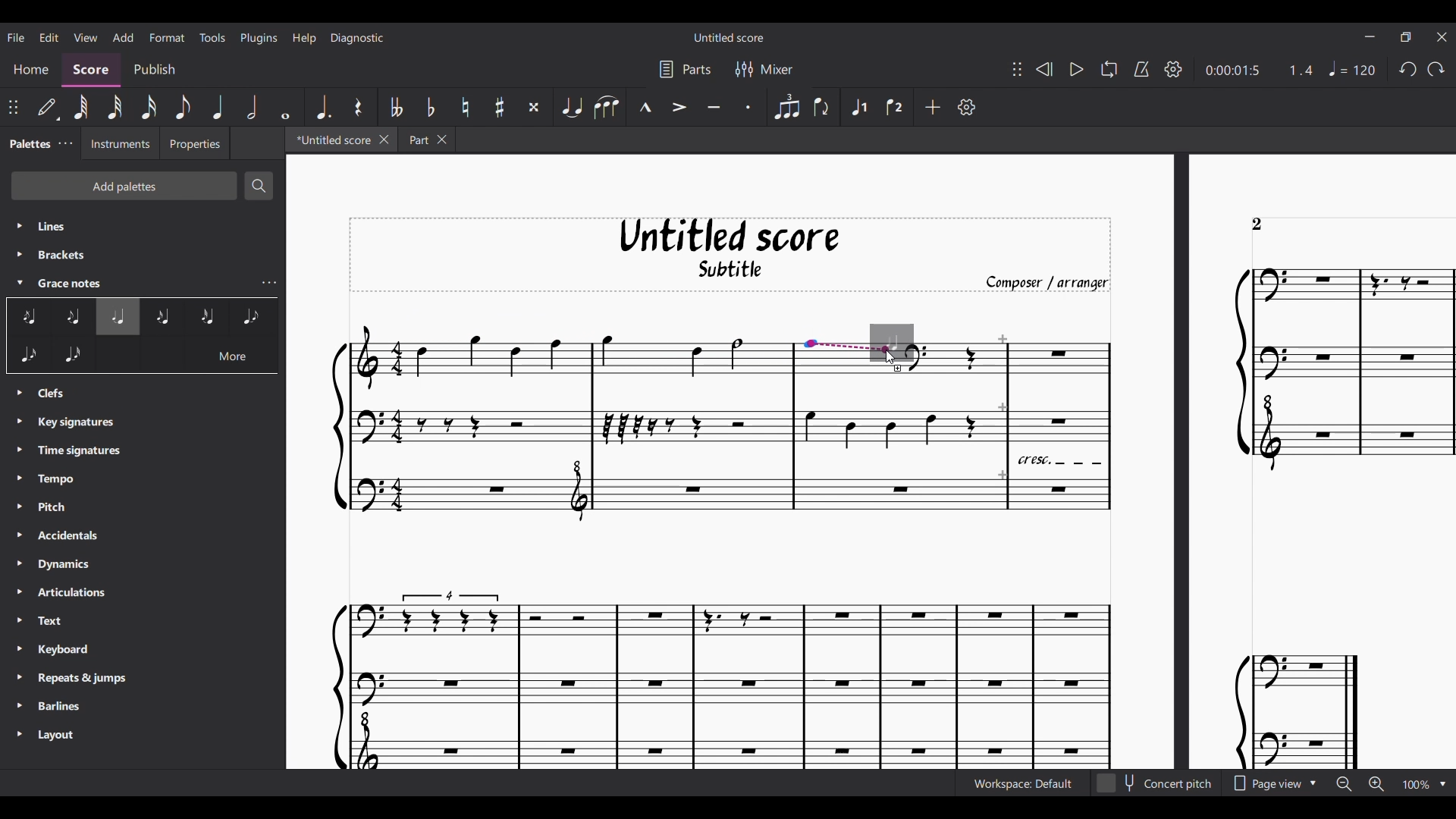 This screenshot has height=819, width=1456. What do you see at coordinates (1018, 787) in the screenshot?
I see `current workspace setting` at bounding box center [1018, 787].